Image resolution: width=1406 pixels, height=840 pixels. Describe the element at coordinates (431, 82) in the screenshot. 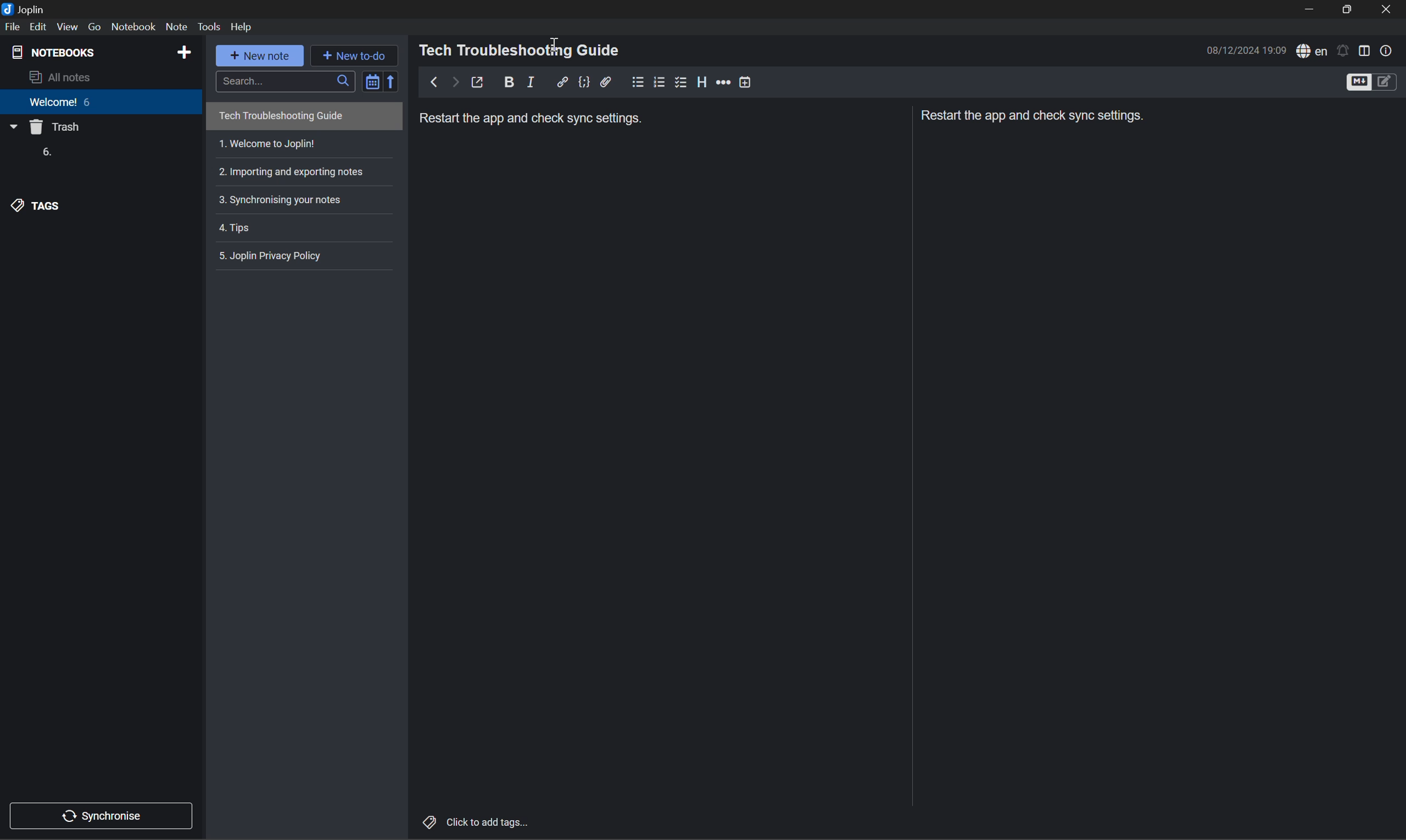

I see `Back` at that location.